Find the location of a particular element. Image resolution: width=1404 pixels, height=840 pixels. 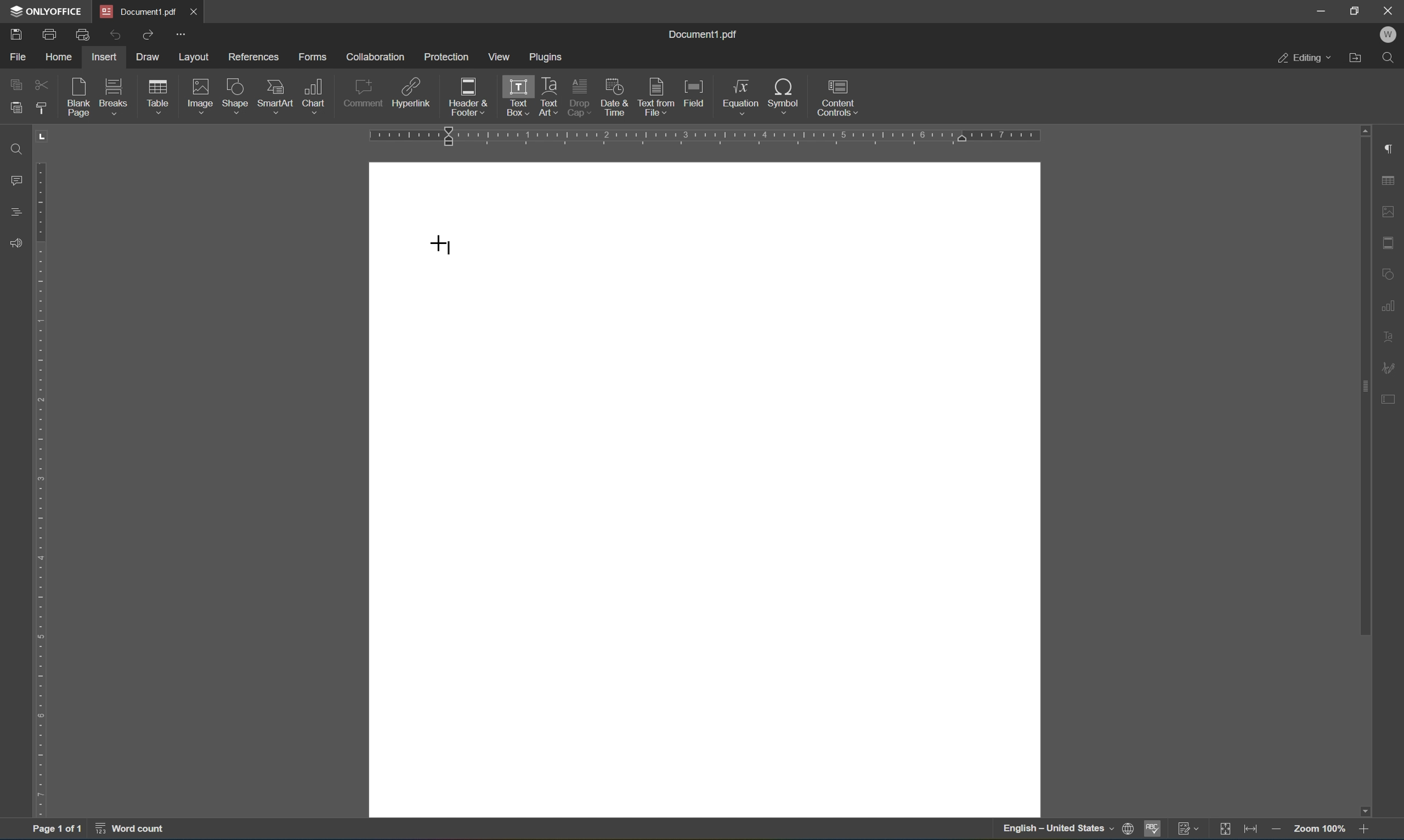

cut is located at coordinates (42, 84).